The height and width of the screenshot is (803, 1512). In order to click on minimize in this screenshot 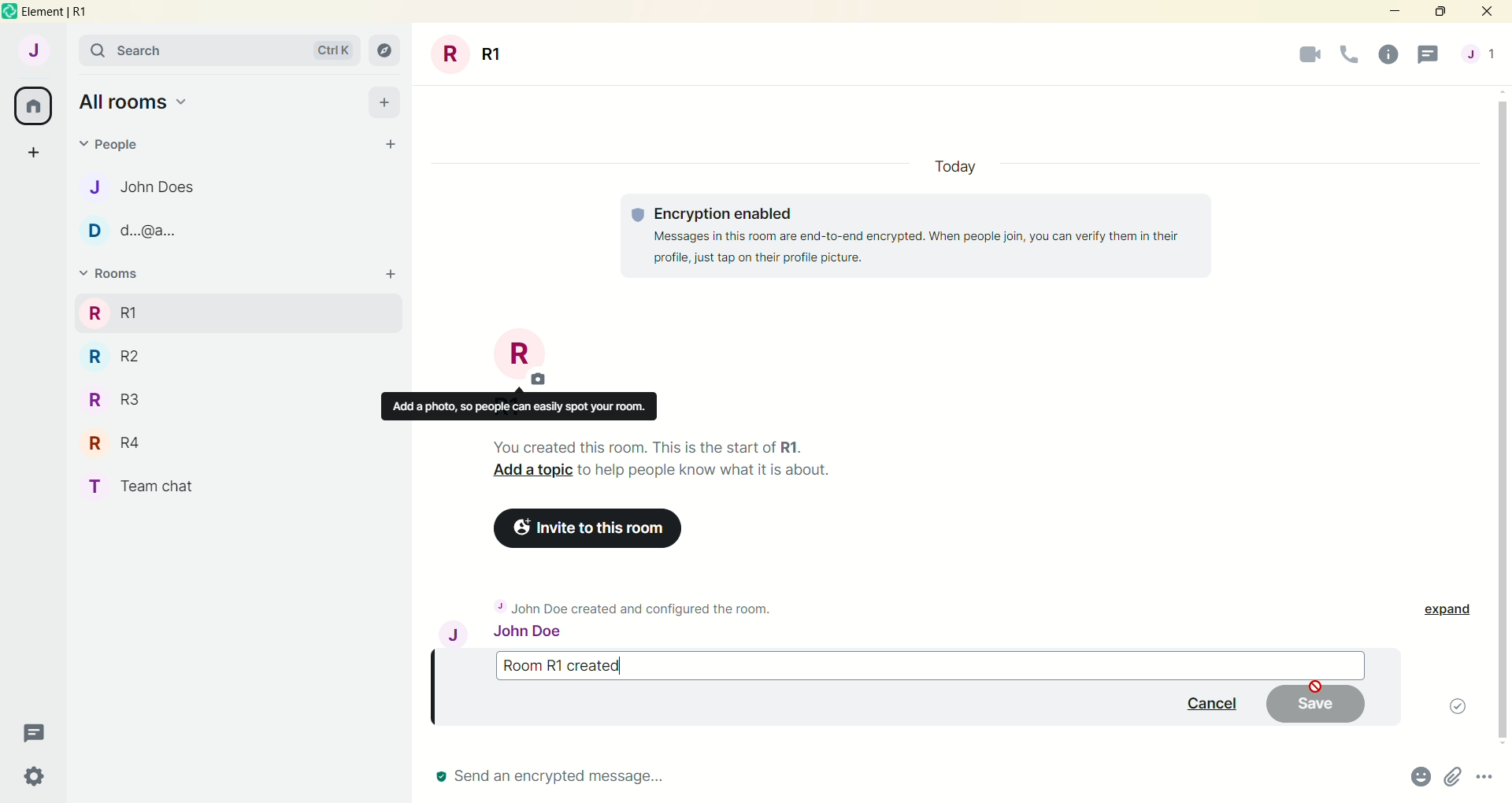, I will do `click(1392, 13)`.